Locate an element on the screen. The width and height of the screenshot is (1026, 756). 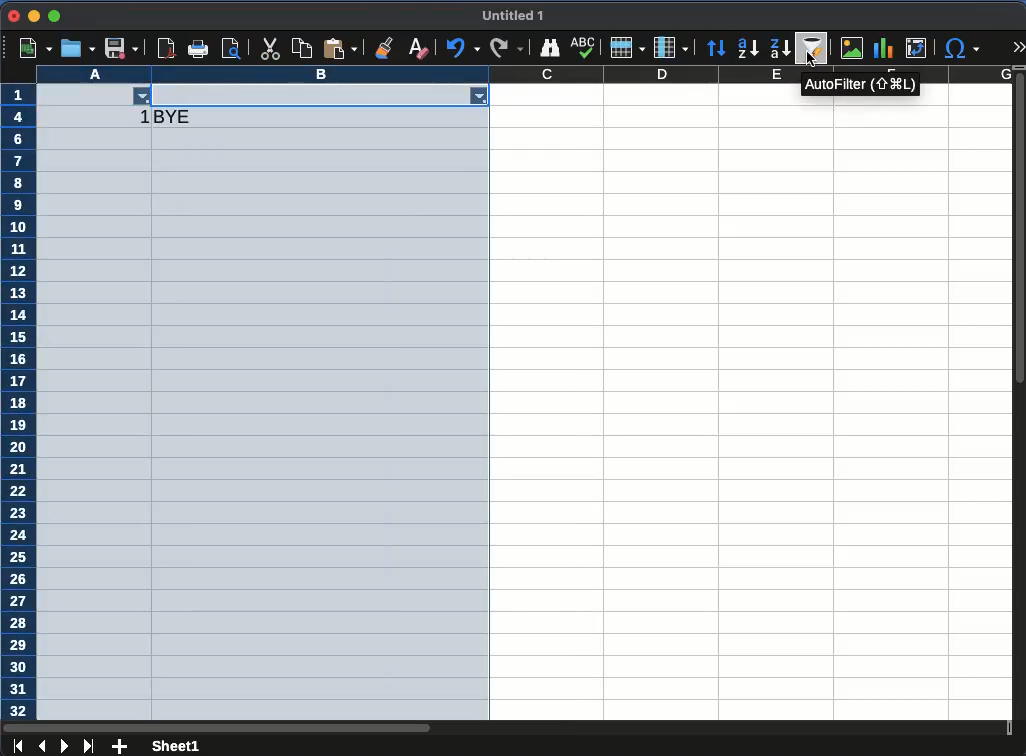
ascending is located at coordinates (747, 48).